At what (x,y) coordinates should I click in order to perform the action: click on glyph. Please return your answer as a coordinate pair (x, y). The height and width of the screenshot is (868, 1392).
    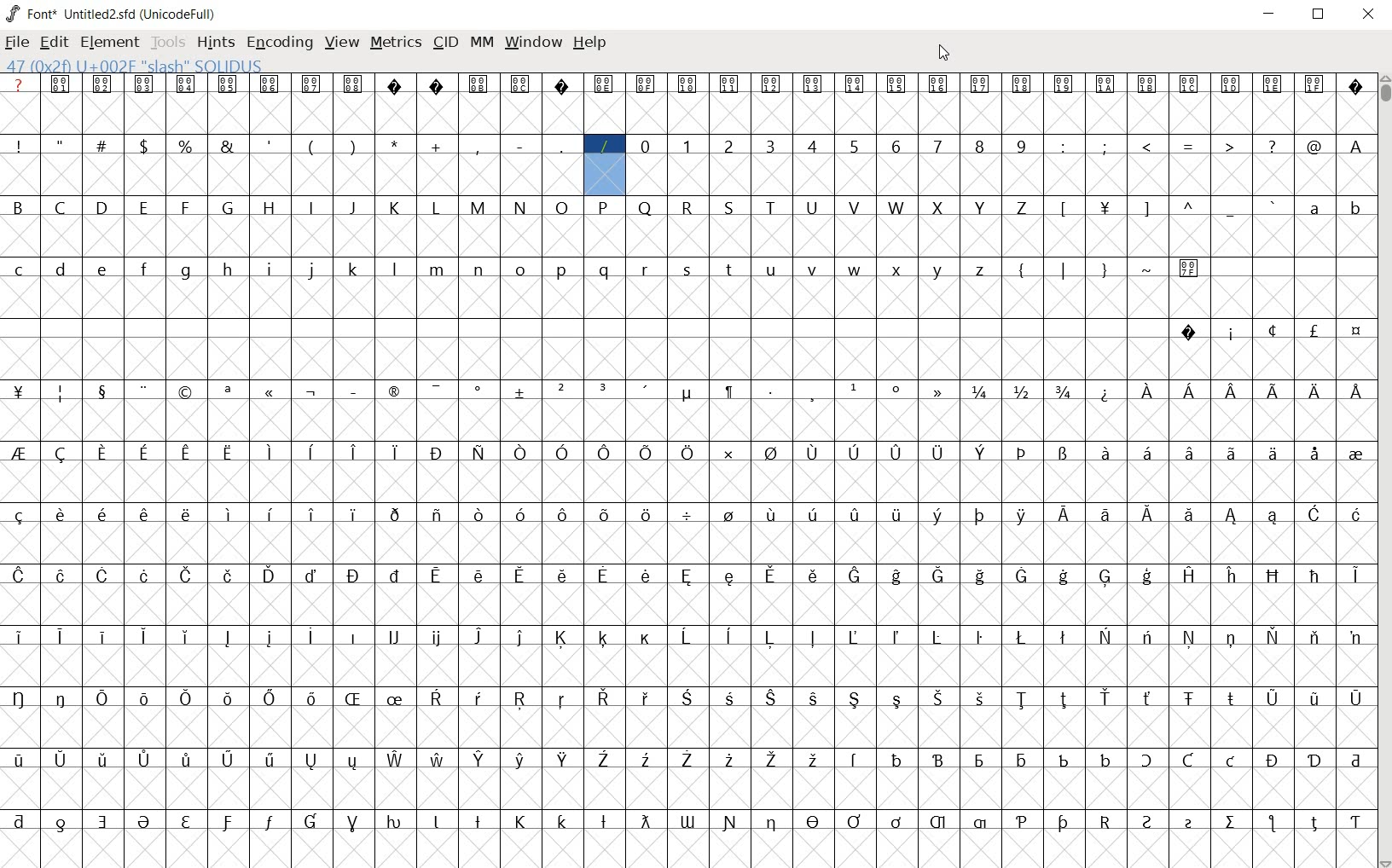
    Looking at the image, I should click on (271, 393).